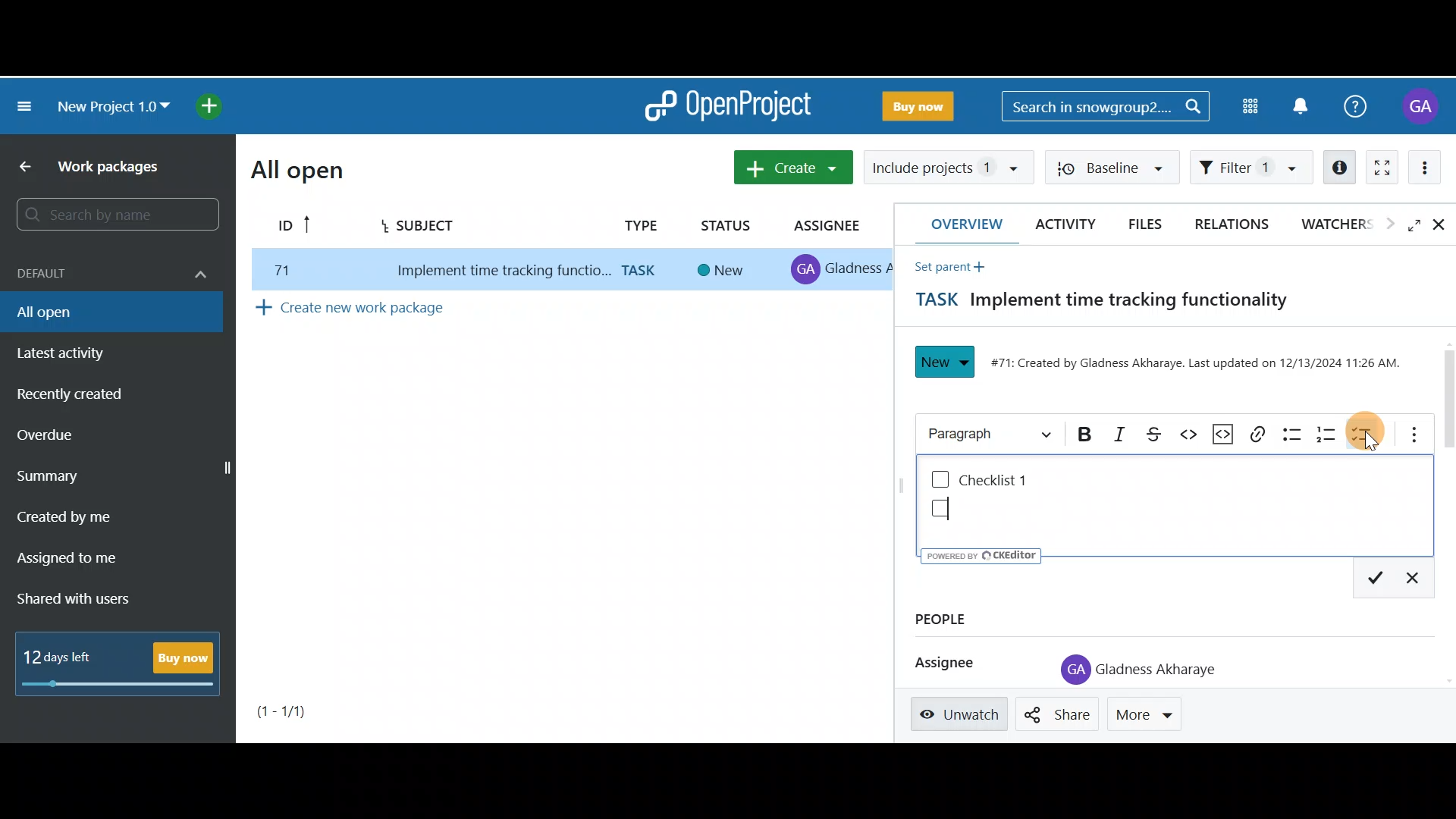 The image size is (1456, 819). I want to click on Bold, so click(1080, 436).